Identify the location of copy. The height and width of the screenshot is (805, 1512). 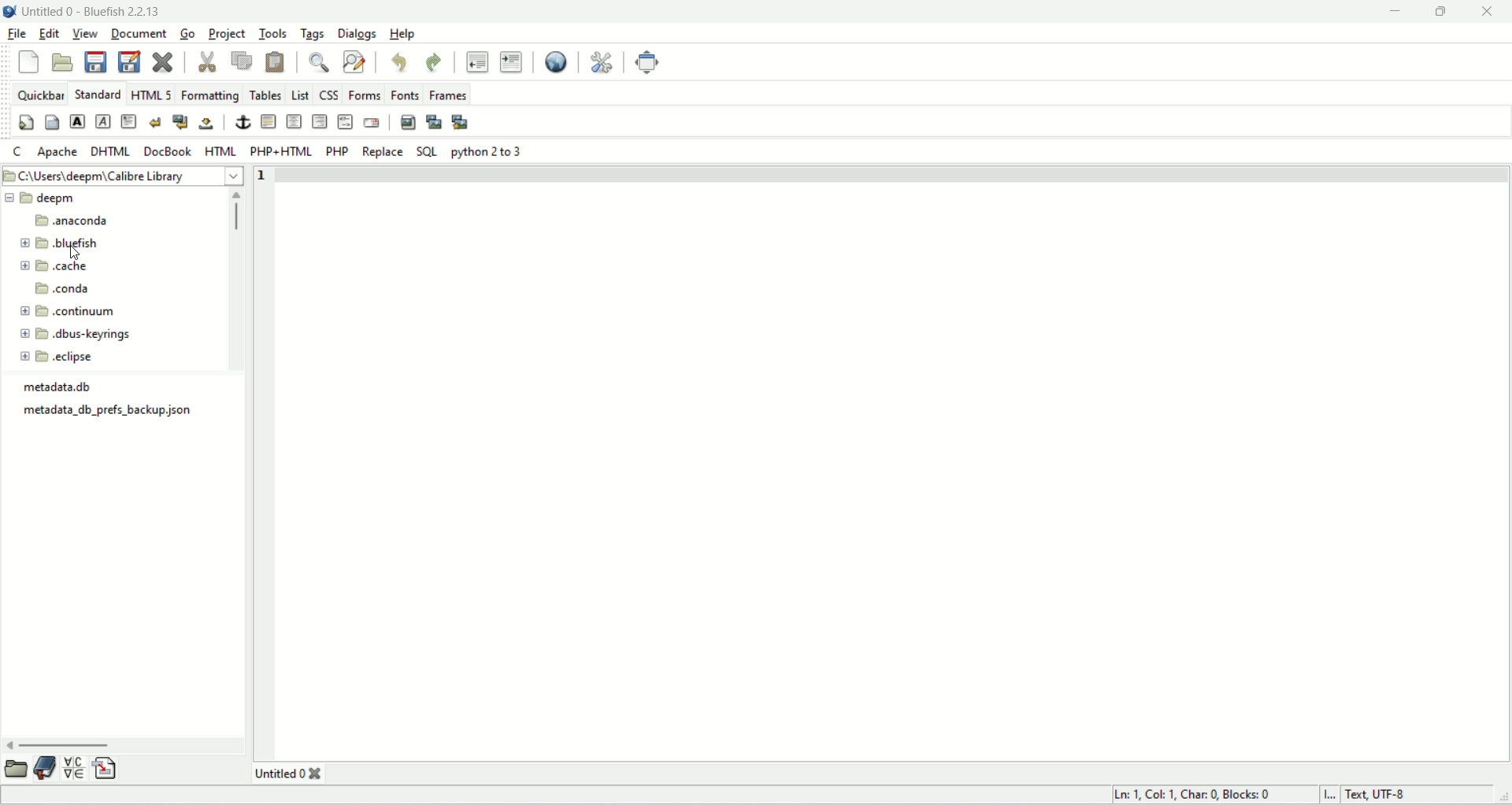
(242, 61).